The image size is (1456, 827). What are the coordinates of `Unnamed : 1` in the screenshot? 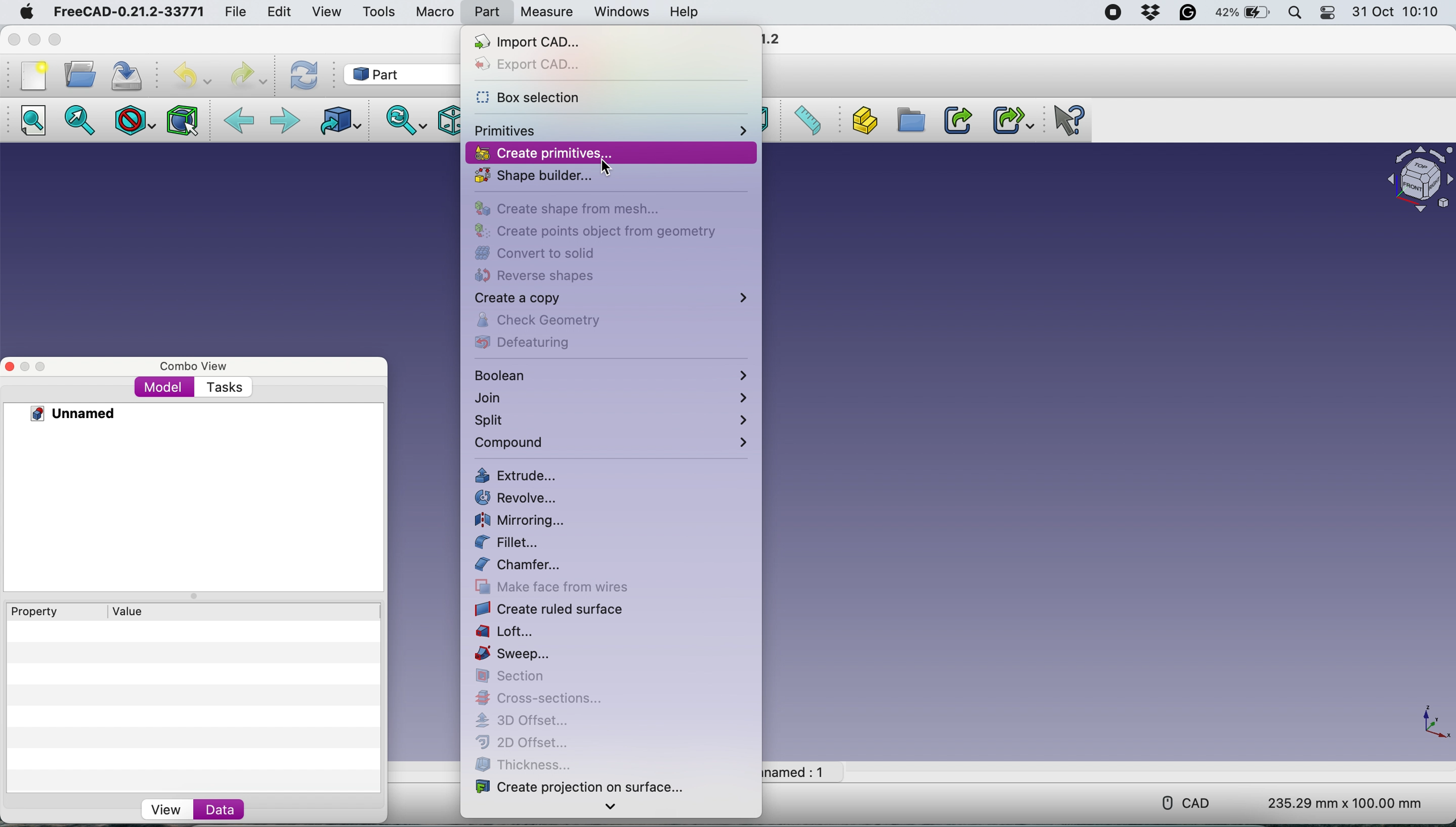 It's located at (796, 771).